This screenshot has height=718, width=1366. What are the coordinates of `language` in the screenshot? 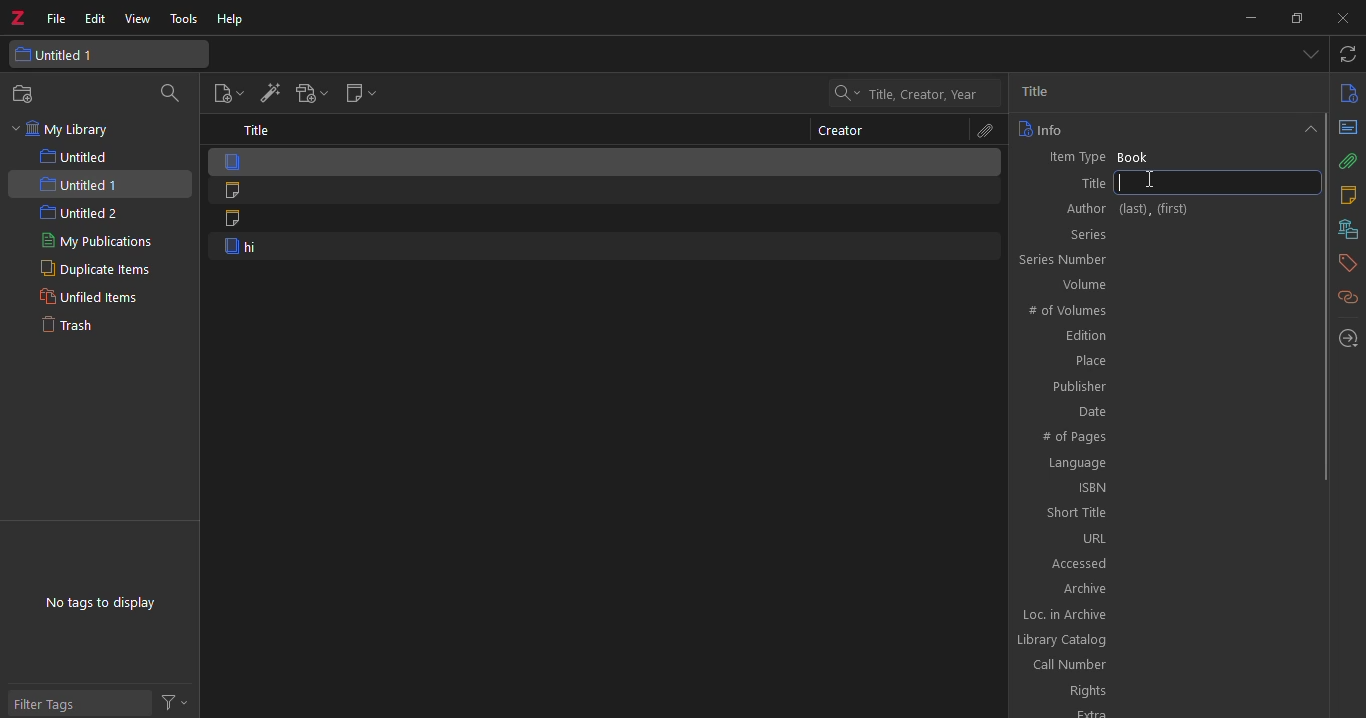 It's located at (1164, 463).